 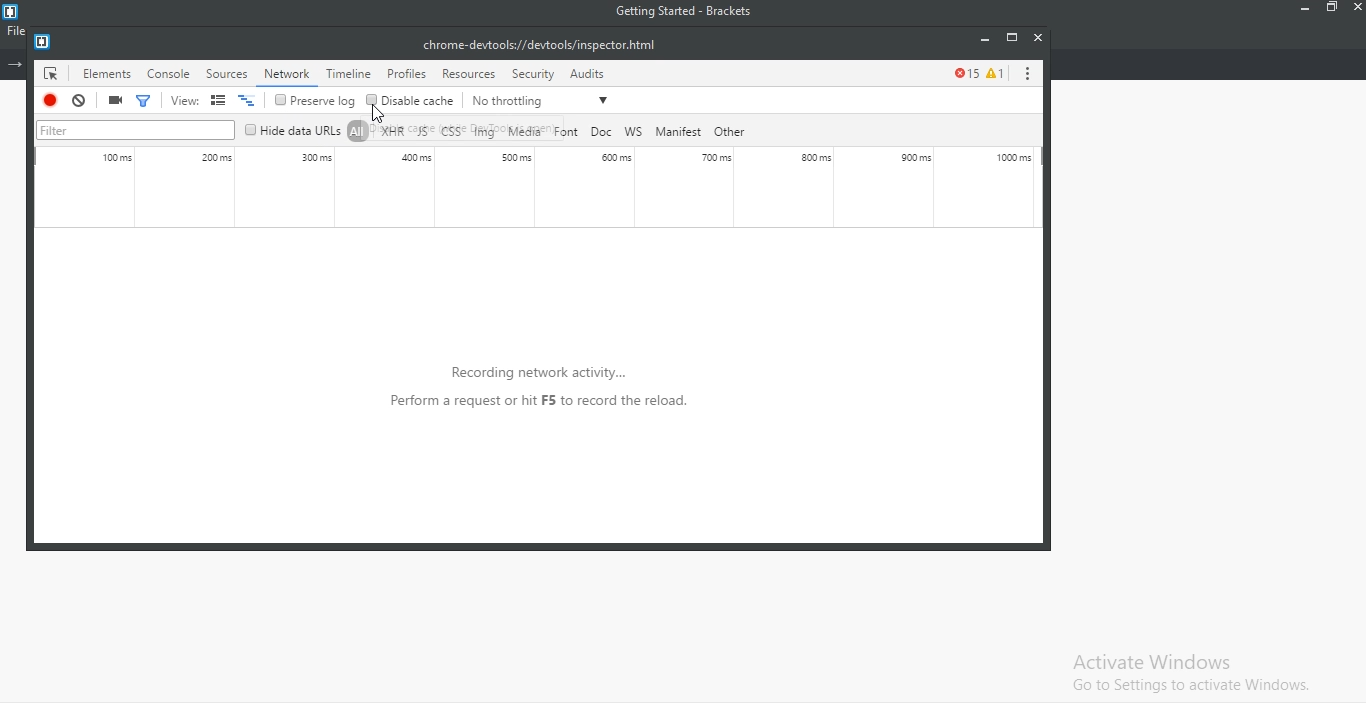 I want to click on restore, so click(x=1331, y=10).